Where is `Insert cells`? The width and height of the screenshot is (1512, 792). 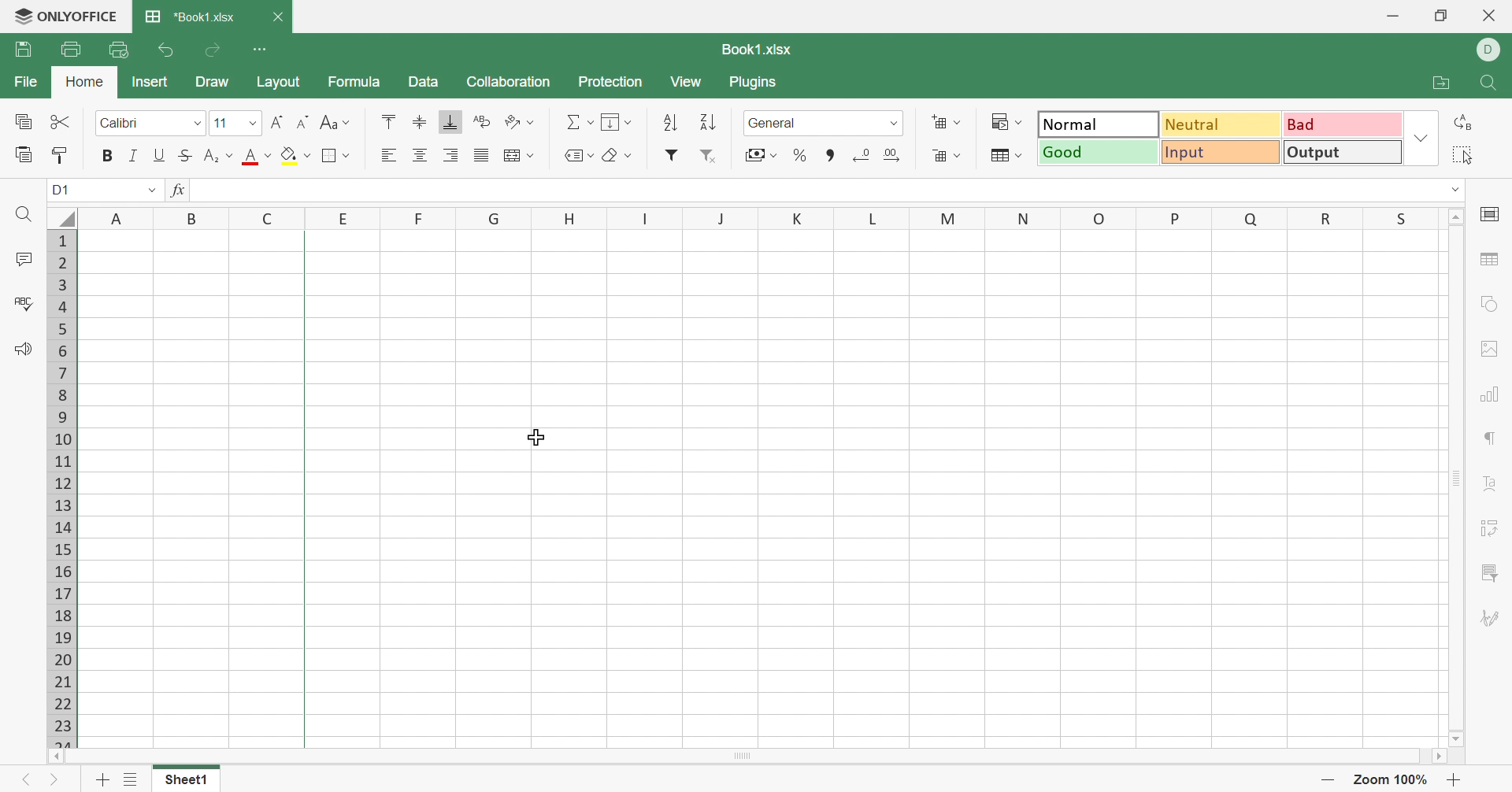 Insert cells is located at coordinates (938, 120).